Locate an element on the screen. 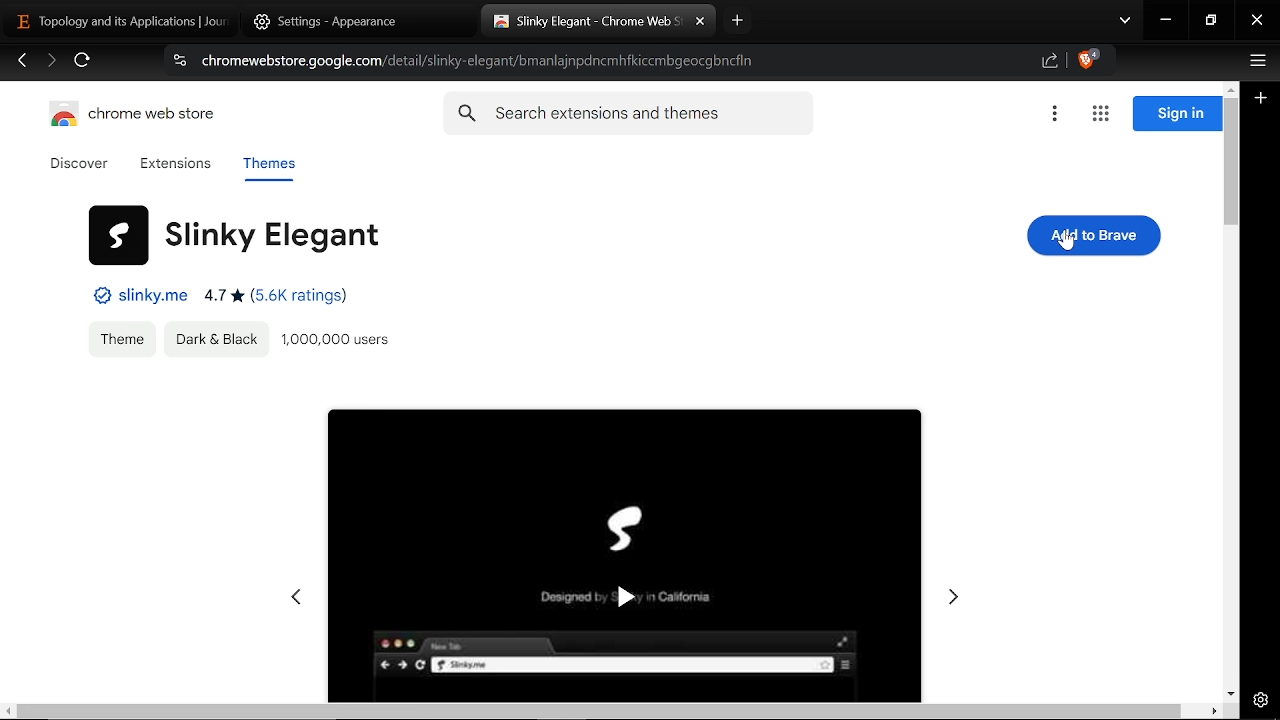 The image size is (1280, 720). Appearences is located at coordinates (216, 339).